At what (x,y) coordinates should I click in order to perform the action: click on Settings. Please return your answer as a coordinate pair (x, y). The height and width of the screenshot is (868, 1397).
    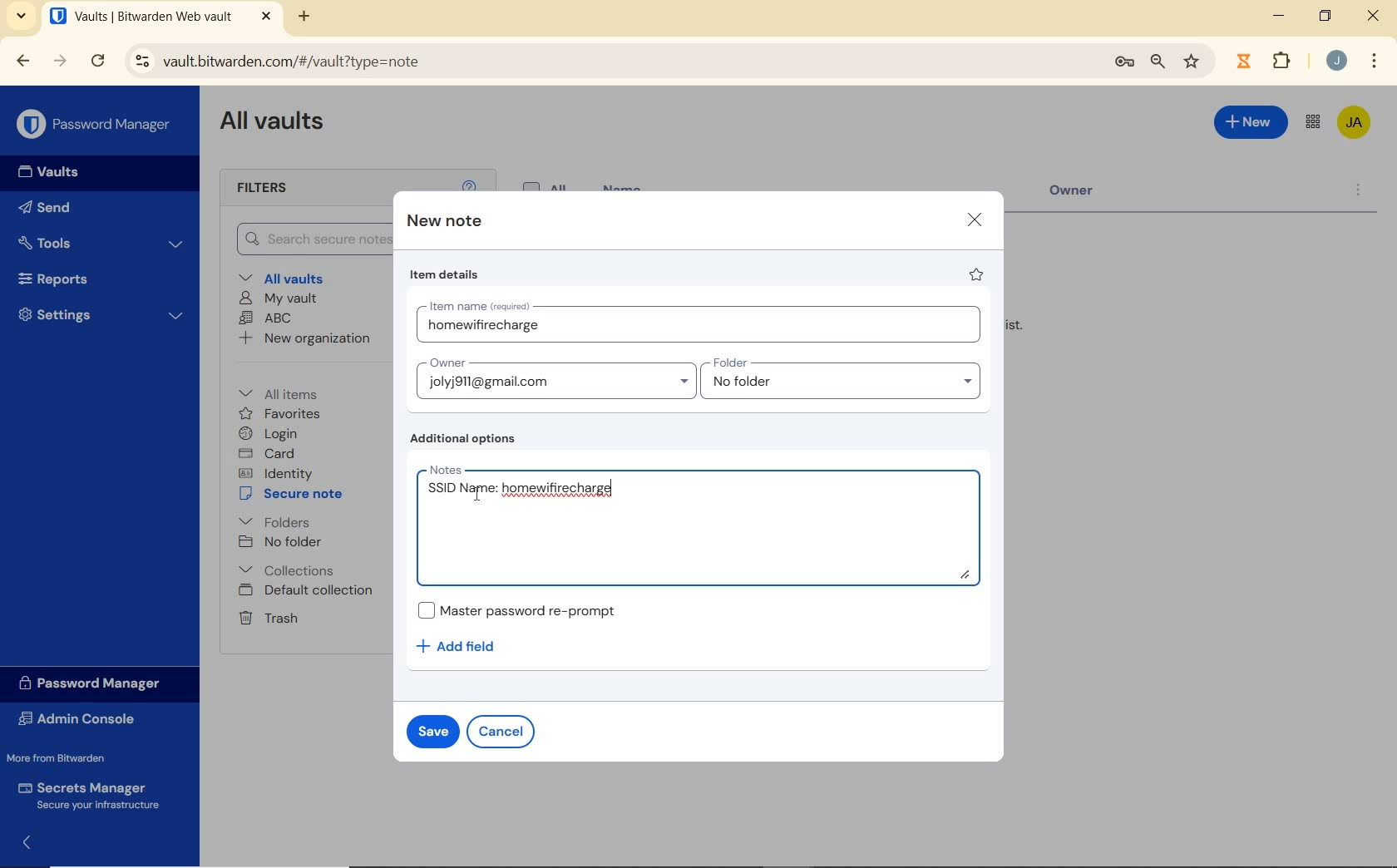
    Looking at the image, I should click on (99, 314).